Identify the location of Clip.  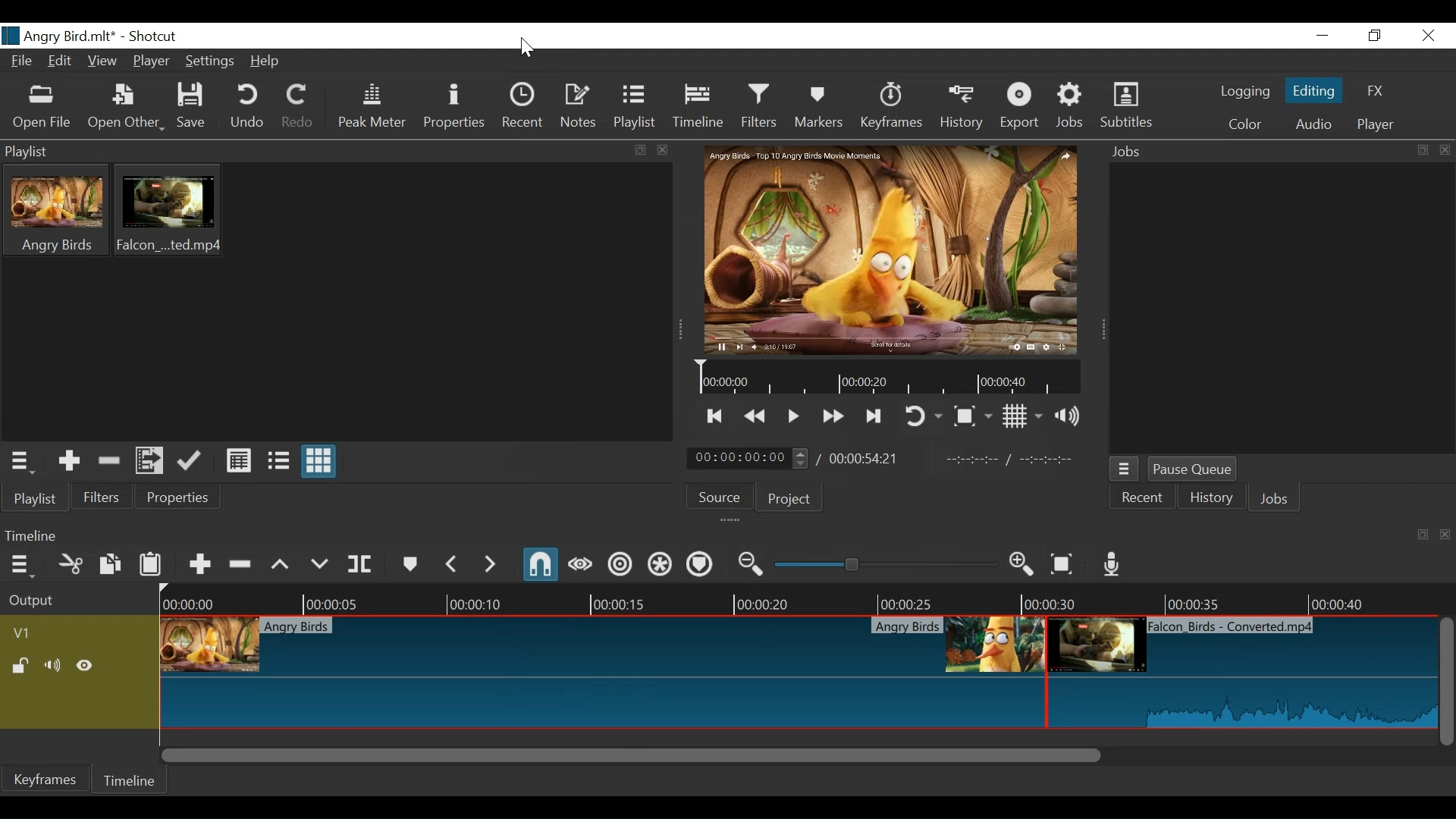
(54, 211).